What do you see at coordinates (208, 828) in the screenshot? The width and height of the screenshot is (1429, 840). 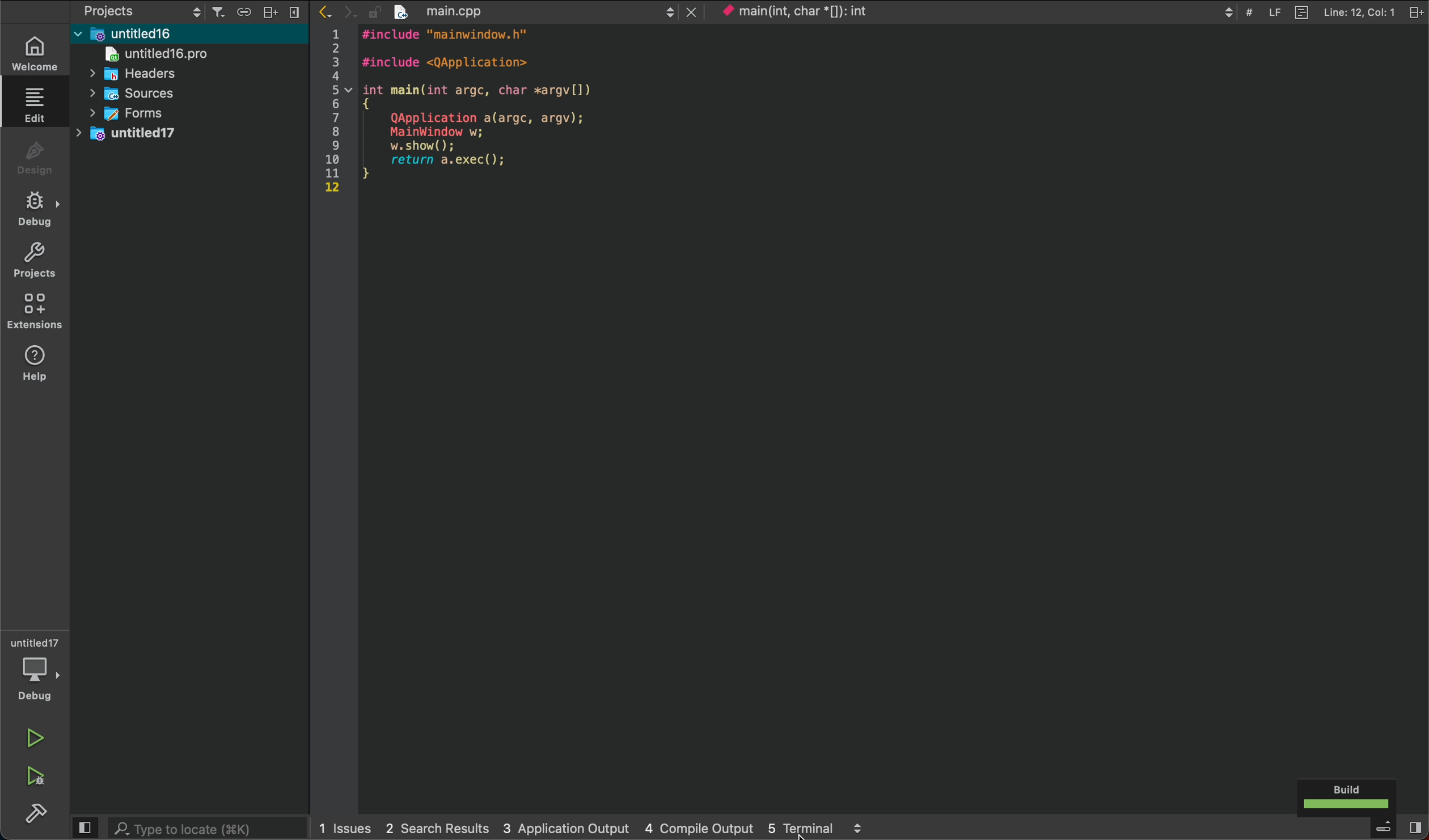 I see `Type to locate(XK)` at bounding box center [208, 828].